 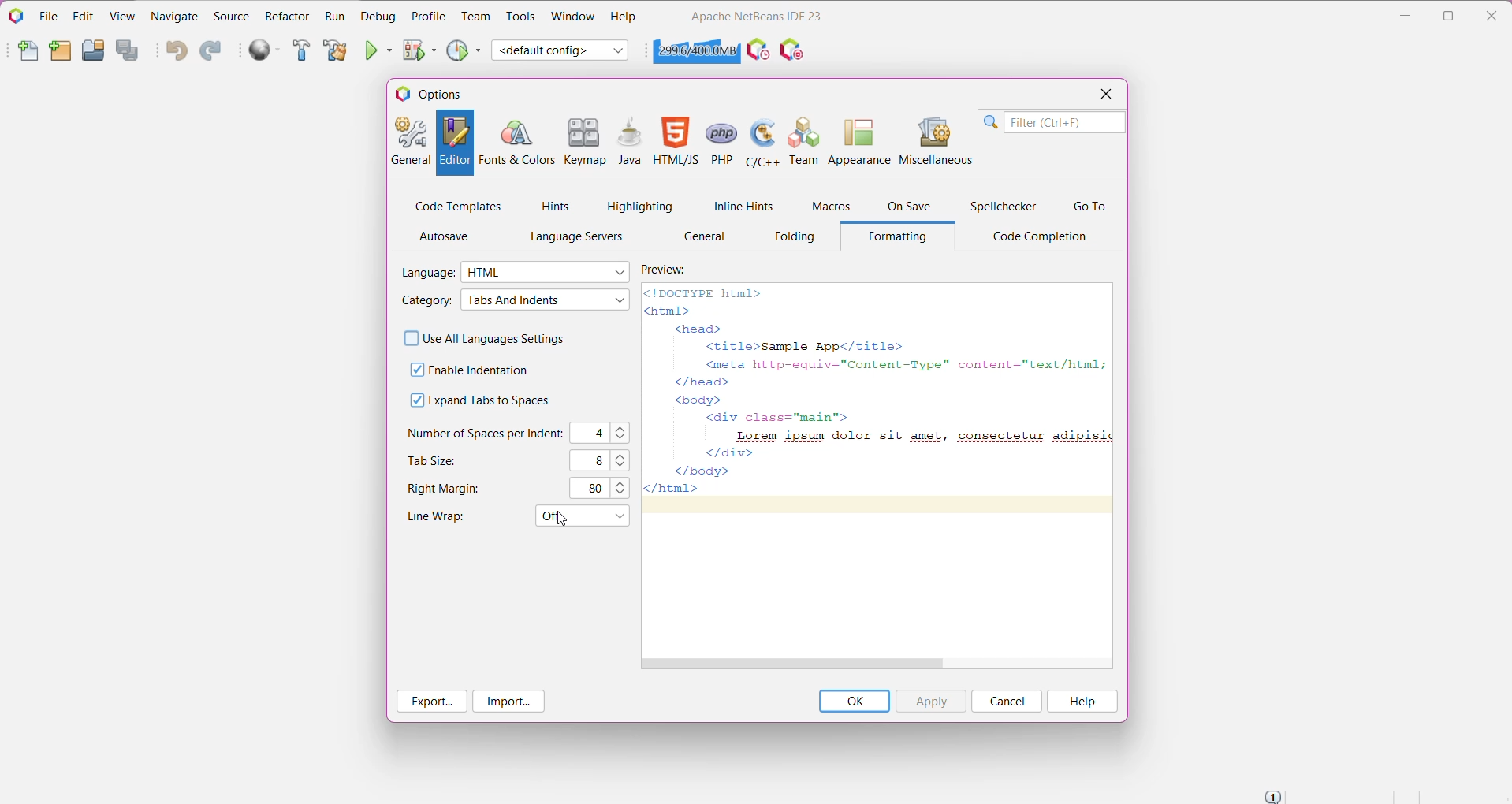 What do you see at coordinates (380, 50) in the screenshot?
I see `Run Project` at bounding box center [380, 50].